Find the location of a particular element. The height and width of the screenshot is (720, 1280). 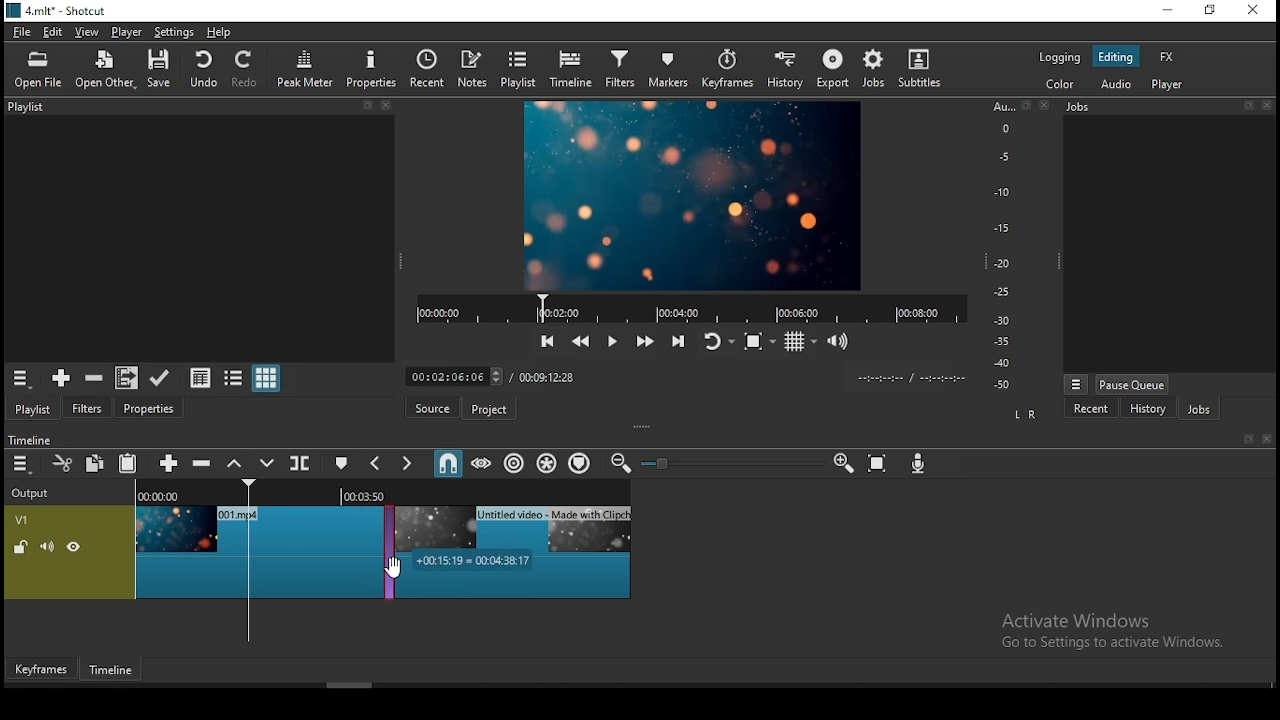

color is located at coordinates (1059, 86).